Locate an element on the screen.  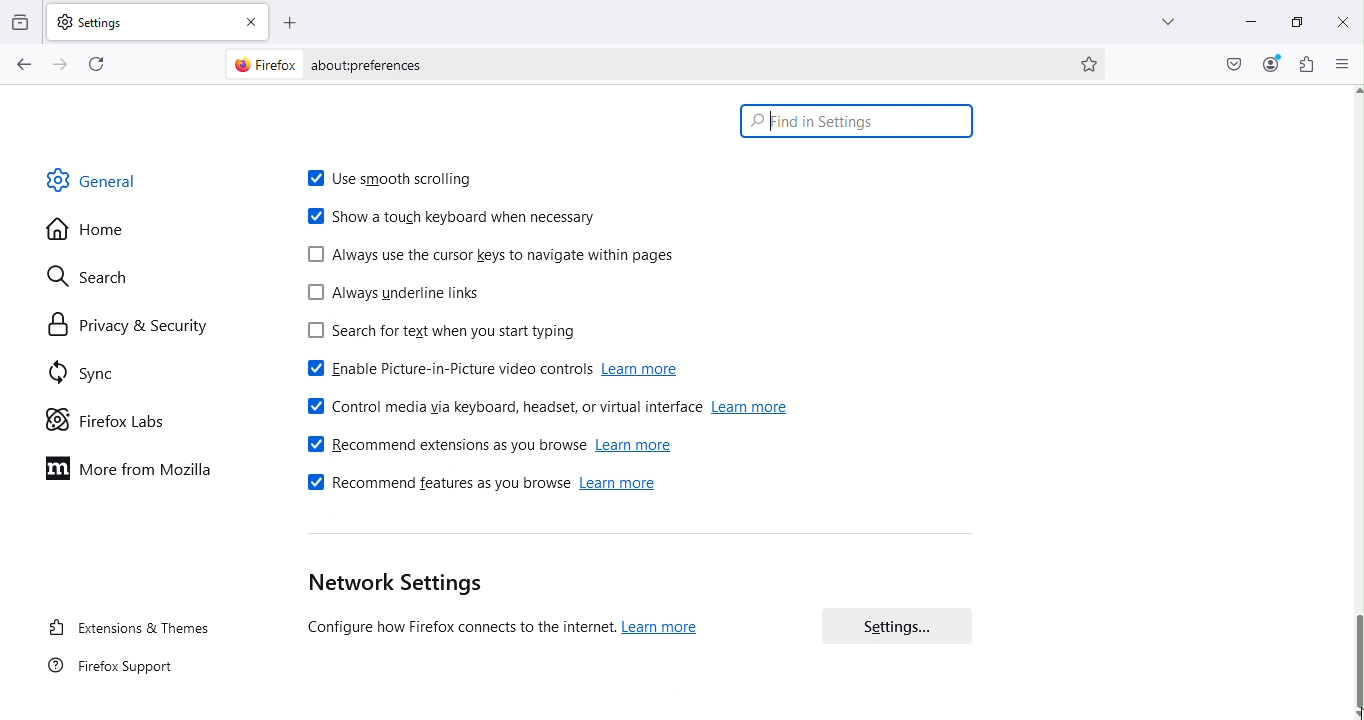
View recent browsing across windows and devices is located at coordinates (22, 20).